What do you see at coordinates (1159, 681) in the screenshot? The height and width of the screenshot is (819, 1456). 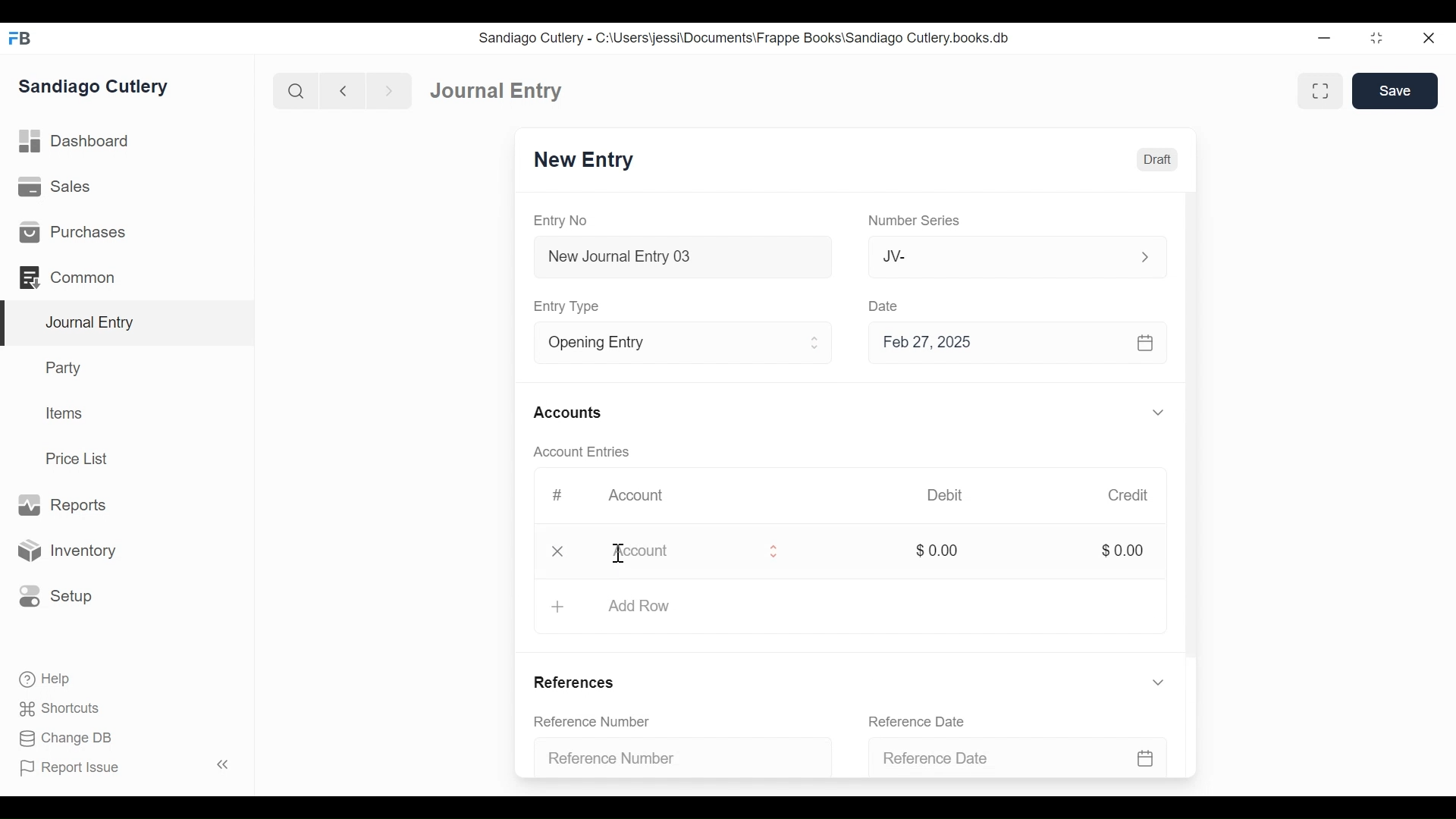 I see `Expand` at bounding box center [1159, 681].